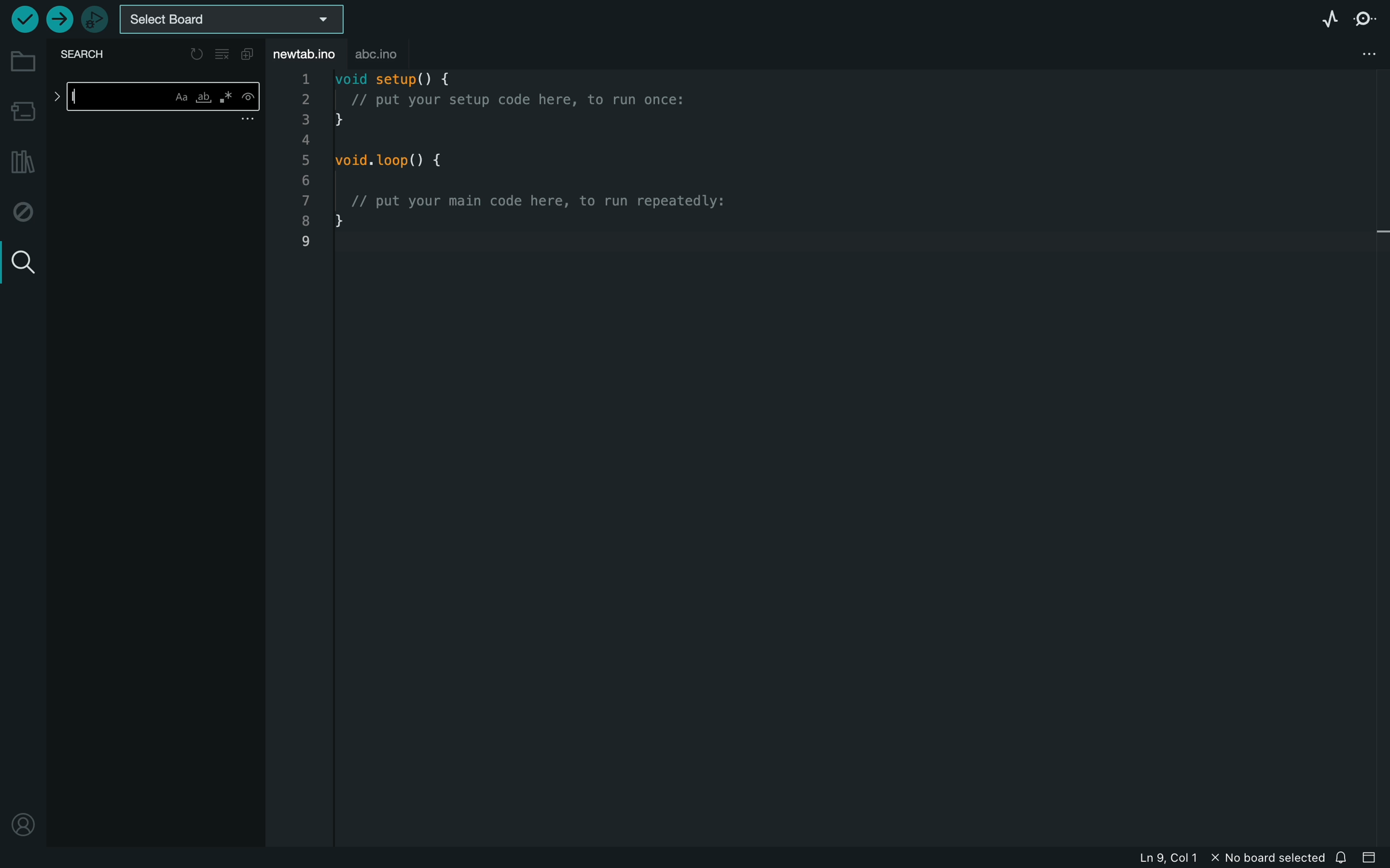  Describe the element at coordinates (21, 824) in the screenshot. I see `profile` at that location.